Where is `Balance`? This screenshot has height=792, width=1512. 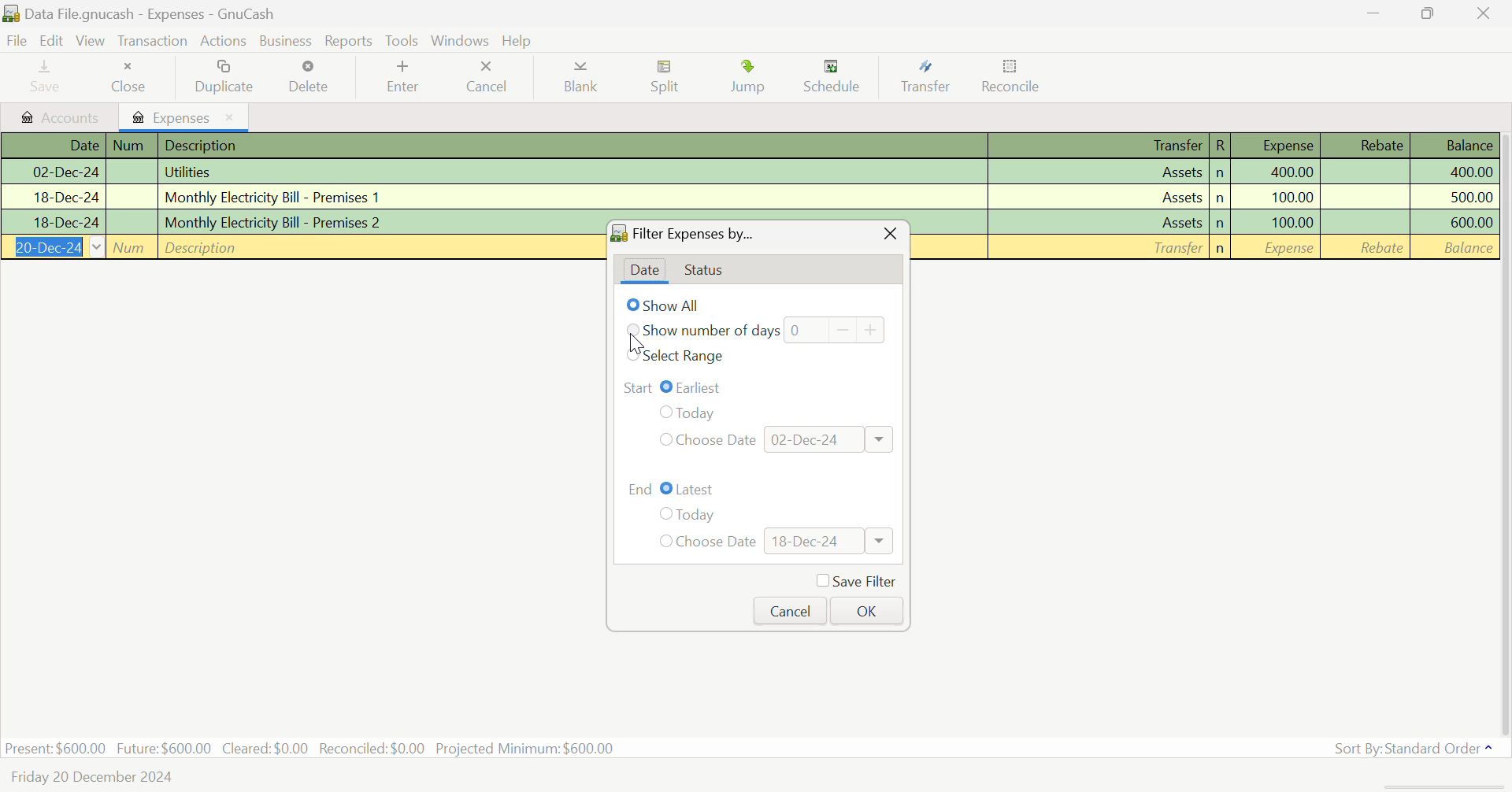
Balance is located at coordinates (1454, 248).